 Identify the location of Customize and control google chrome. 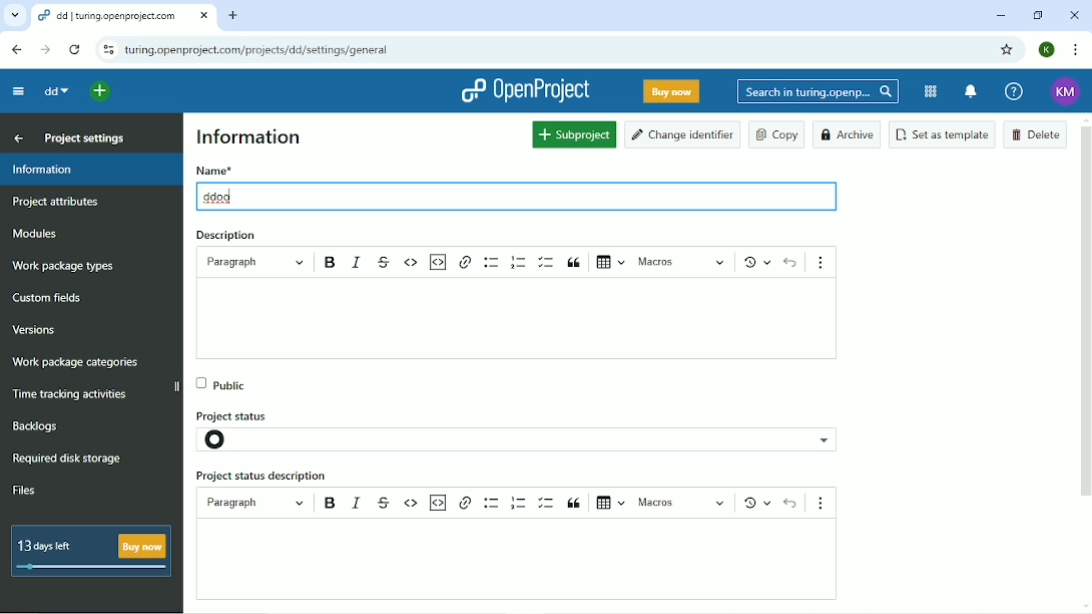
(1076, 50).